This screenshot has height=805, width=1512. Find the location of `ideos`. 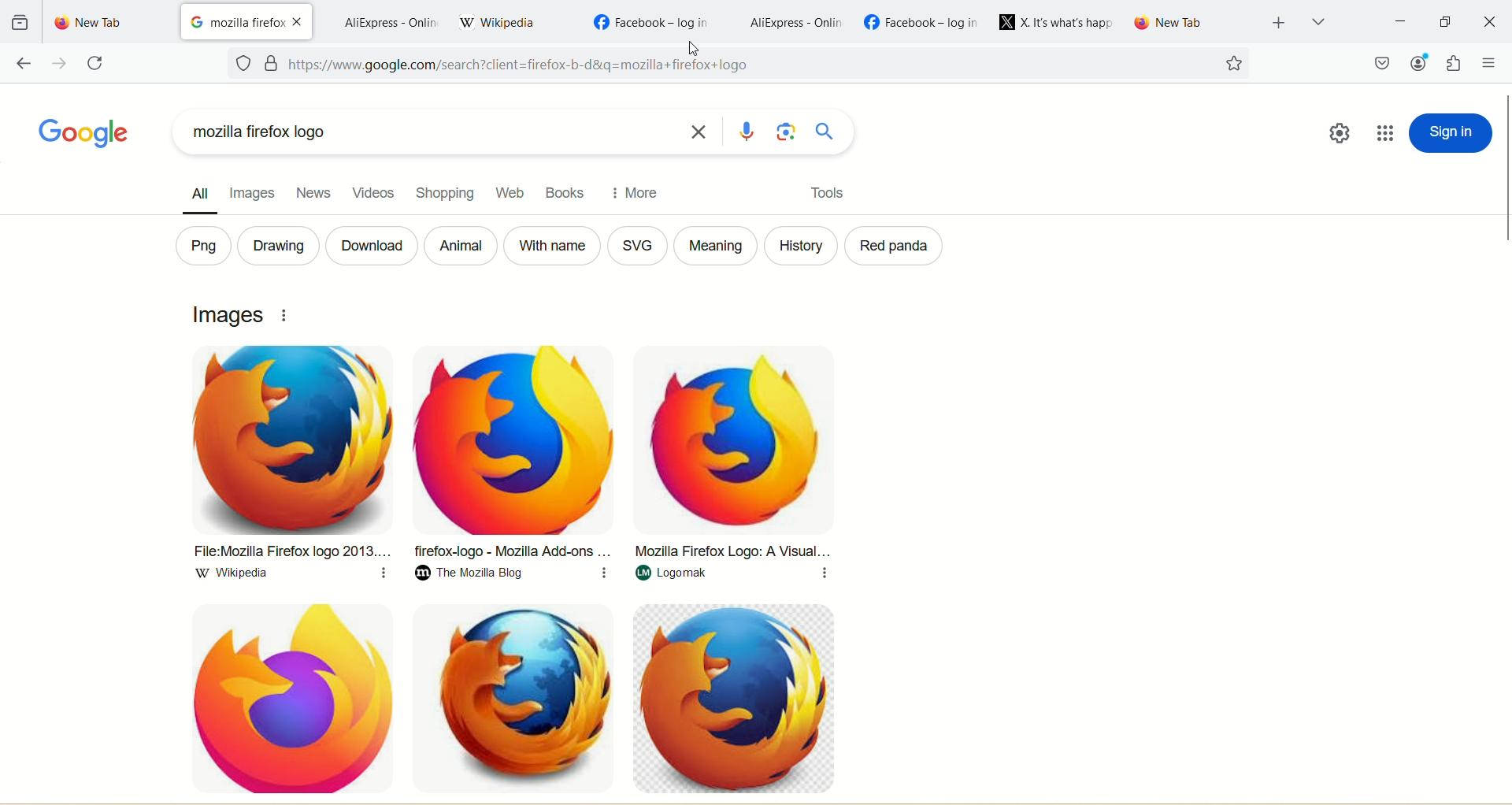

ideos is located at coordinates (374, 196).